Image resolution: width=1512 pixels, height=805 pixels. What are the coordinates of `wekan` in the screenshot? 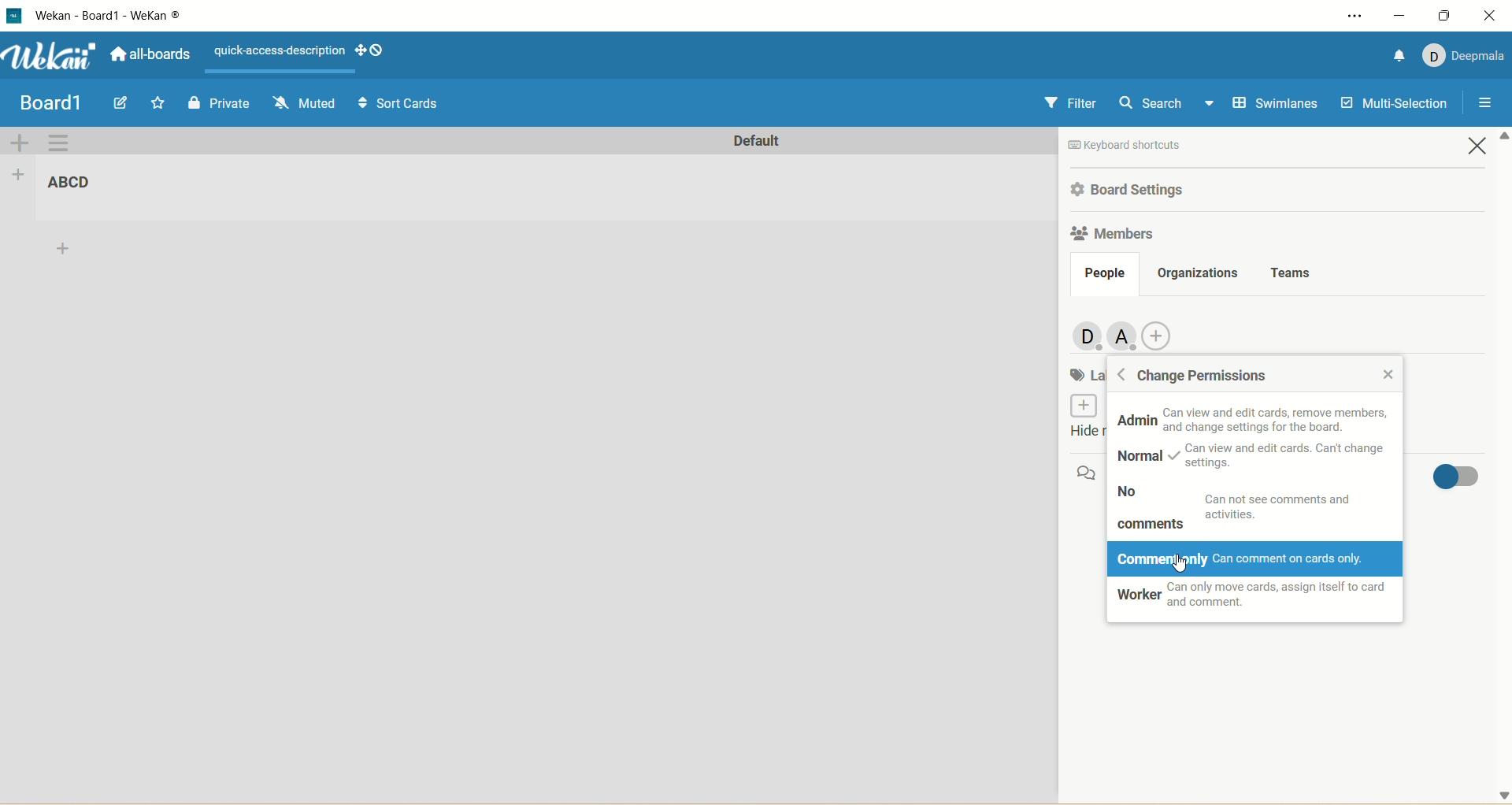 It's located at (52, 55).